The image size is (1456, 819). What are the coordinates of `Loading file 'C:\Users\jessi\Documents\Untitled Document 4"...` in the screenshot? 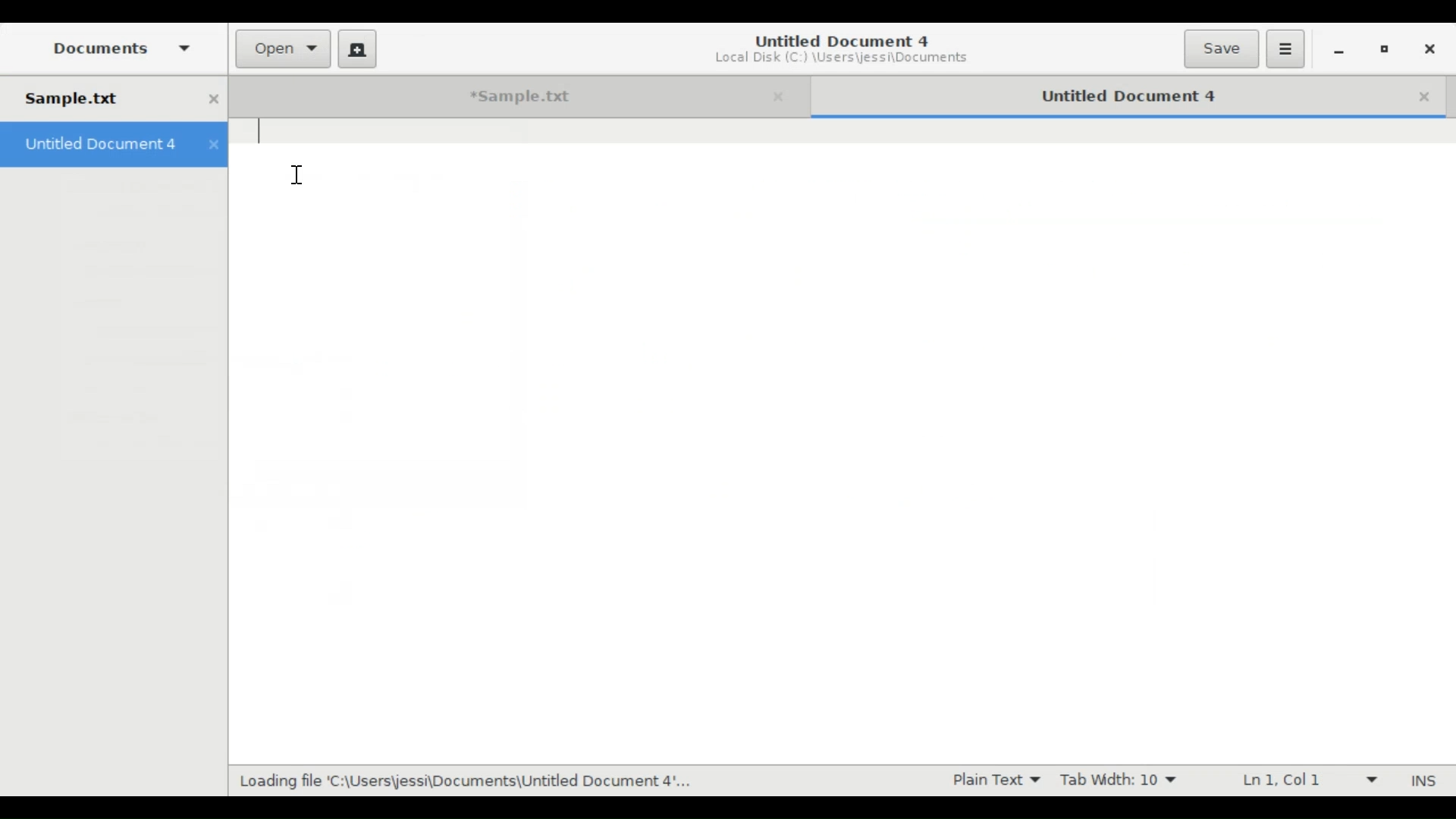 It's located at (463, 782).